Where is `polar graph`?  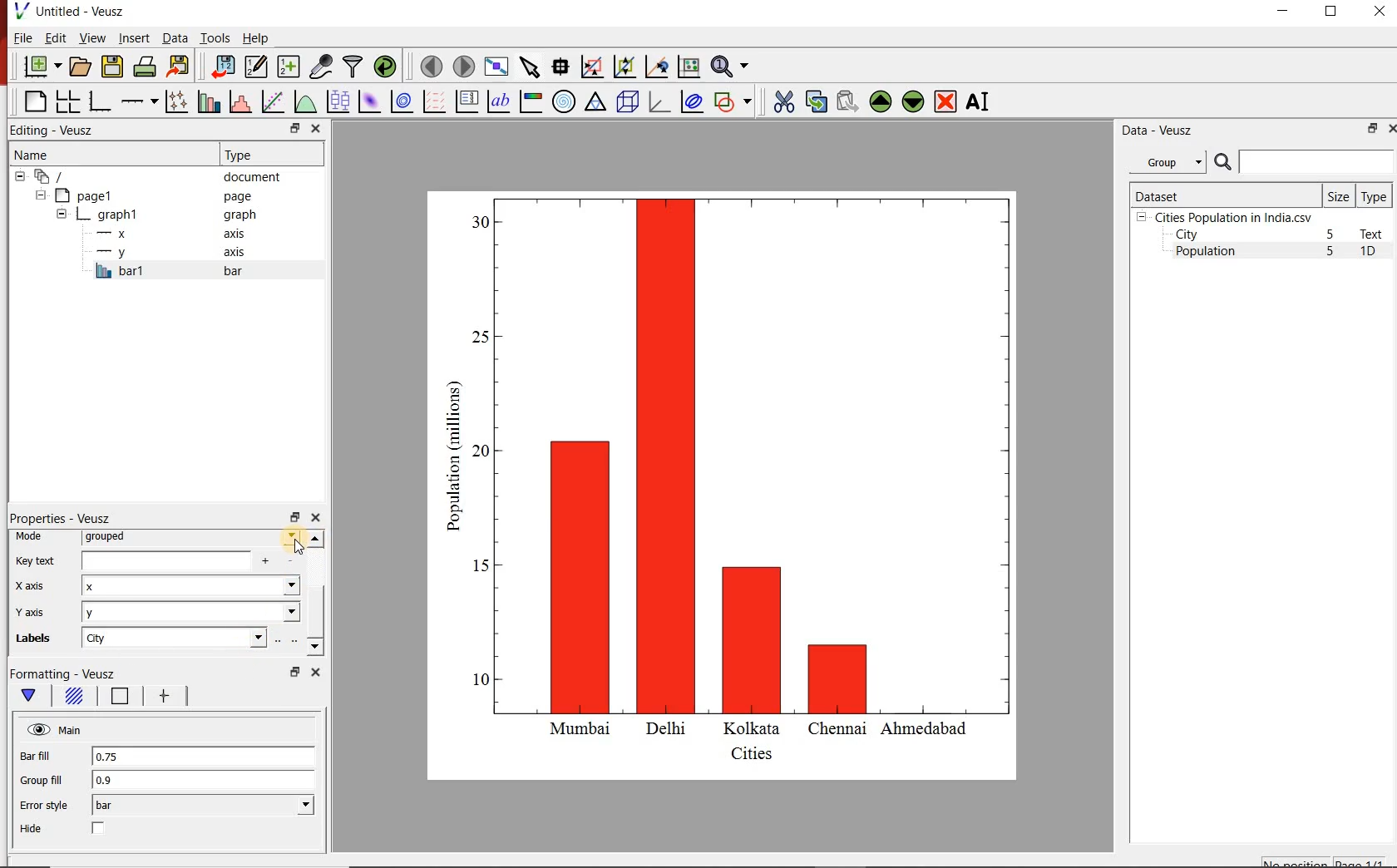
polar graph is located at coordinates (564, 101).